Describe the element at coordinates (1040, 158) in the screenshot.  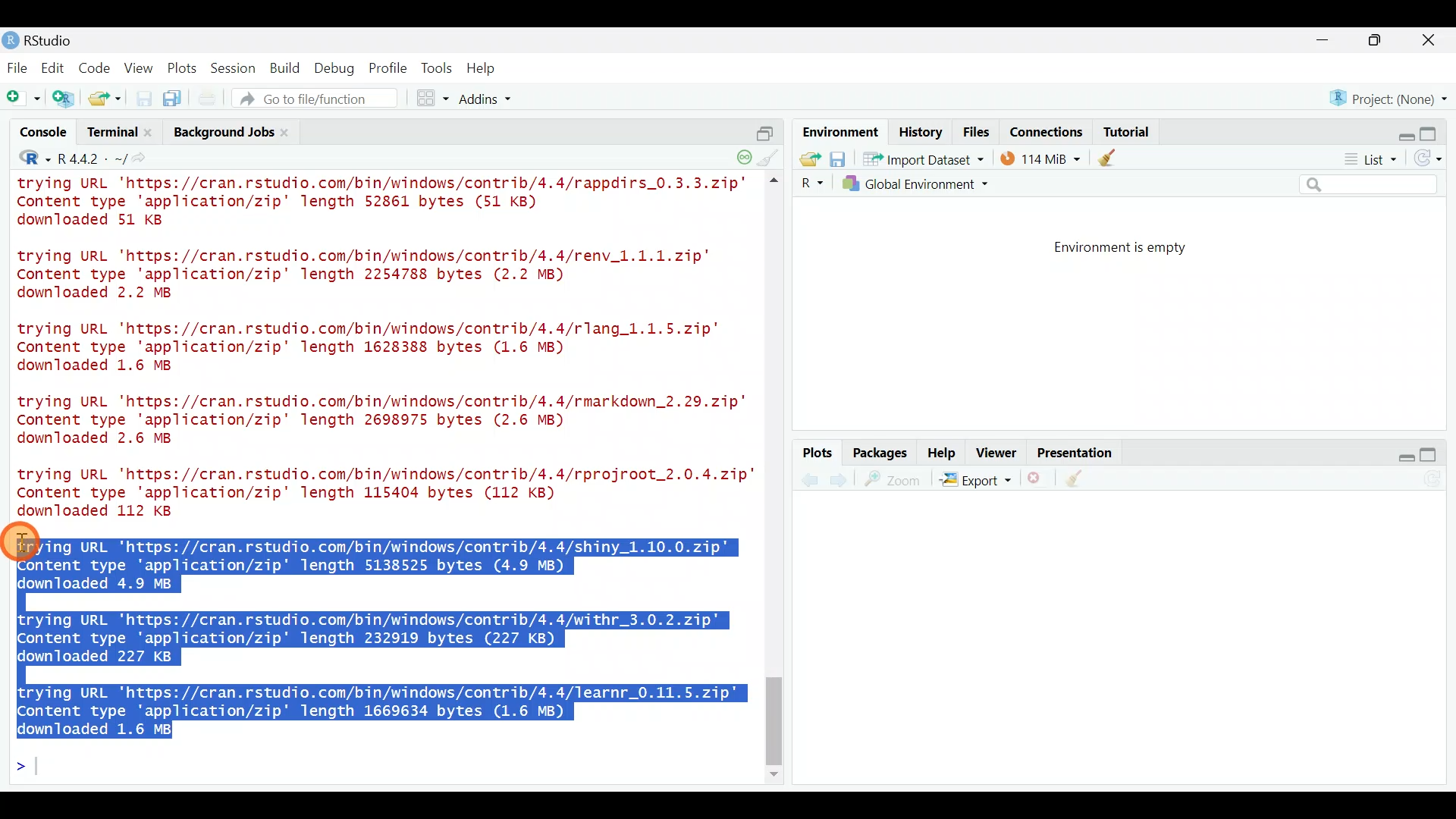
I see `114 MIB` at that location.